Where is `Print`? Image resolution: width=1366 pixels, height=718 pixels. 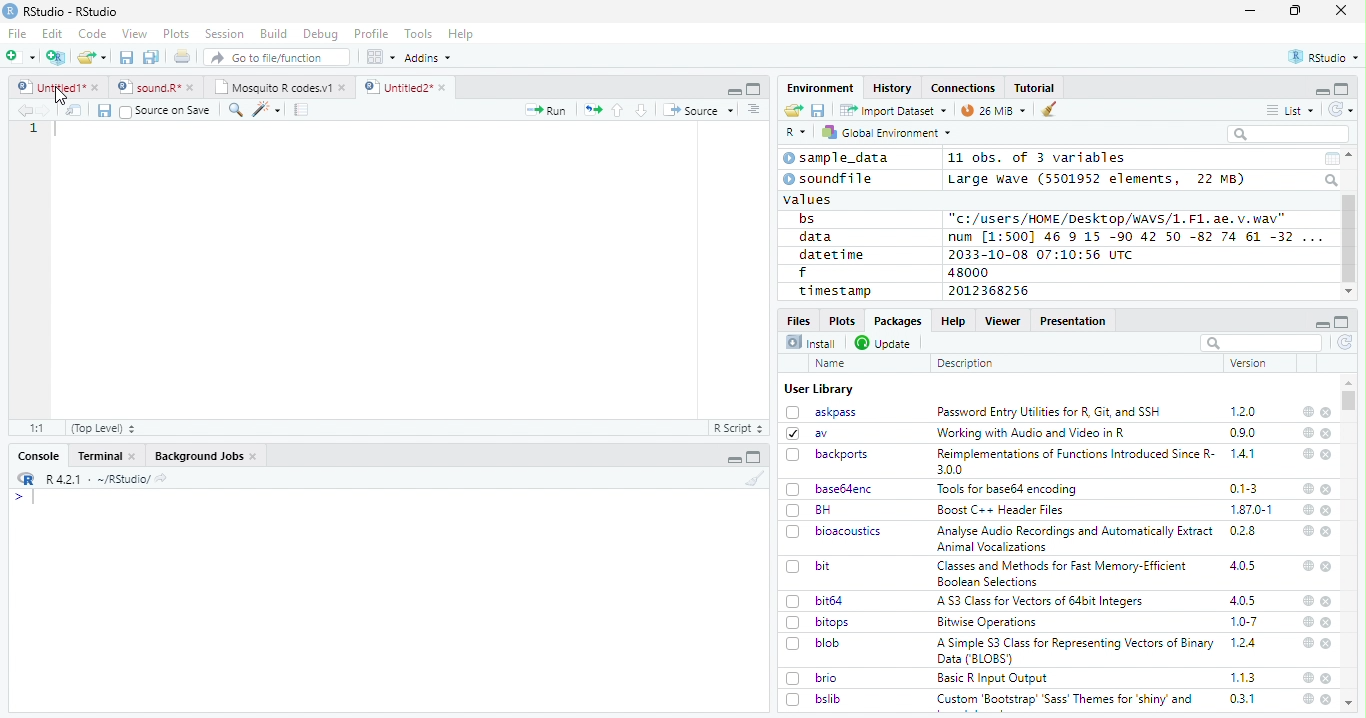
Print is located at coordinates (183, 56).